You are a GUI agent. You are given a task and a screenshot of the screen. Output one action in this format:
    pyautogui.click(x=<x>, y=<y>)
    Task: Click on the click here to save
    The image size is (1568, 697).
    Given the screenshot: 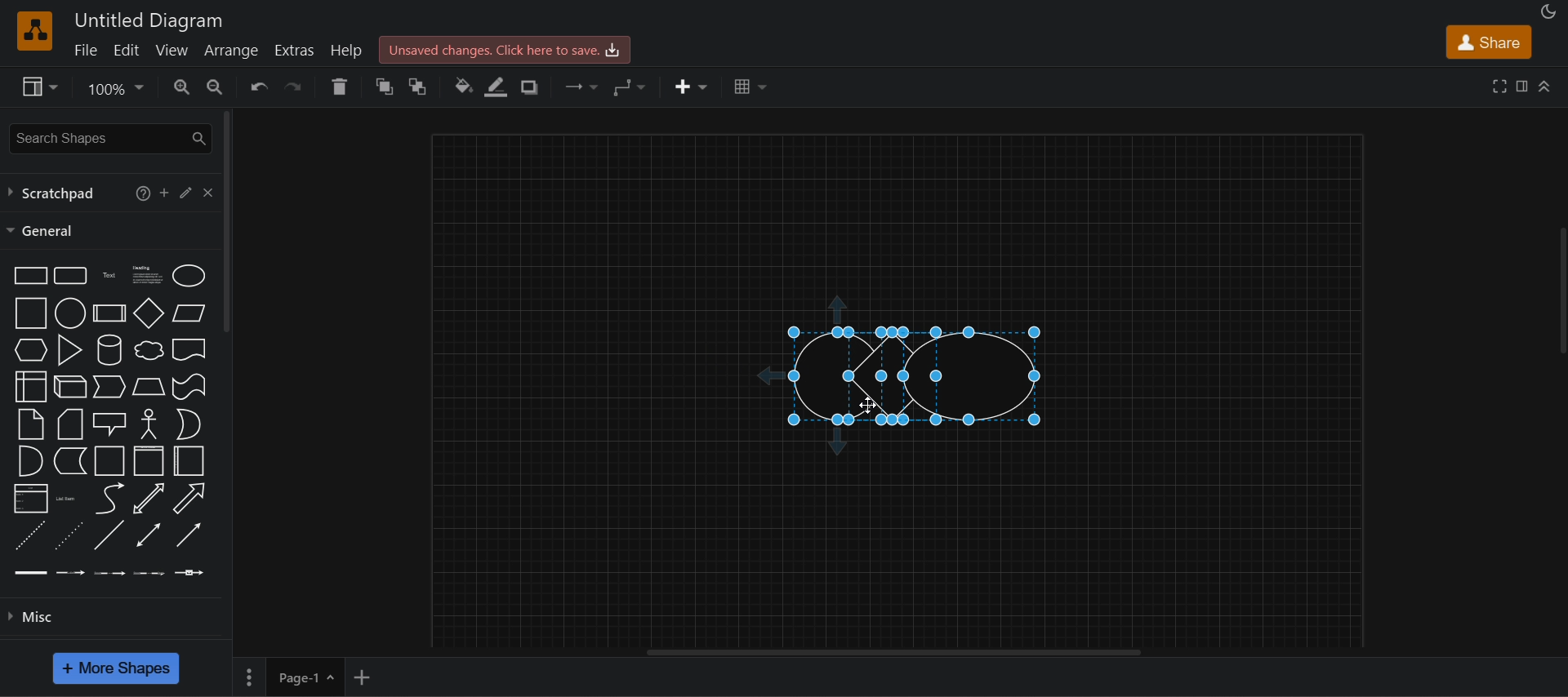 What is the action you would take?
    pyautogui.click(x=503, y=49)
    